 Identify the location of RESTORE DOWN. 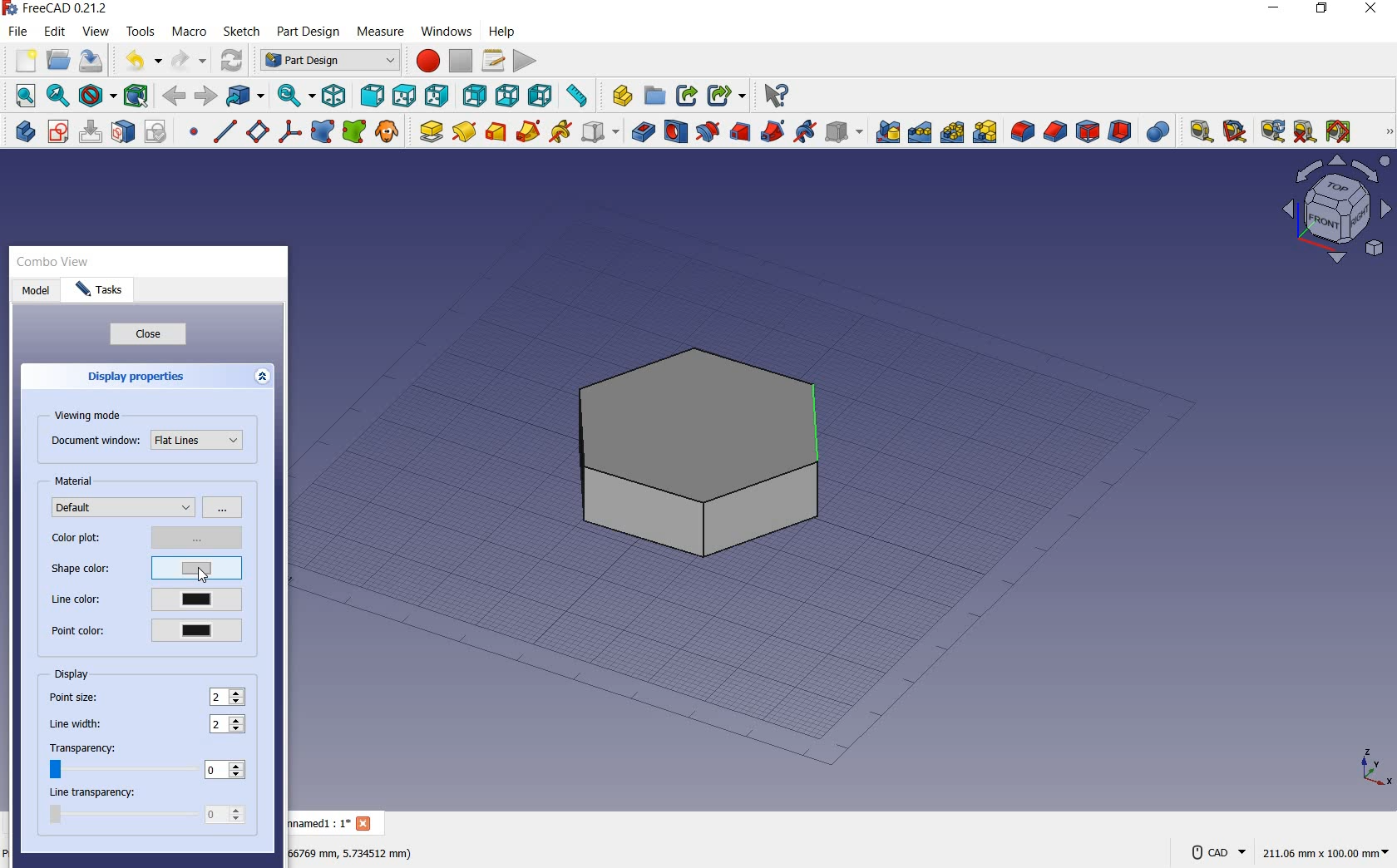
(1323, 11).